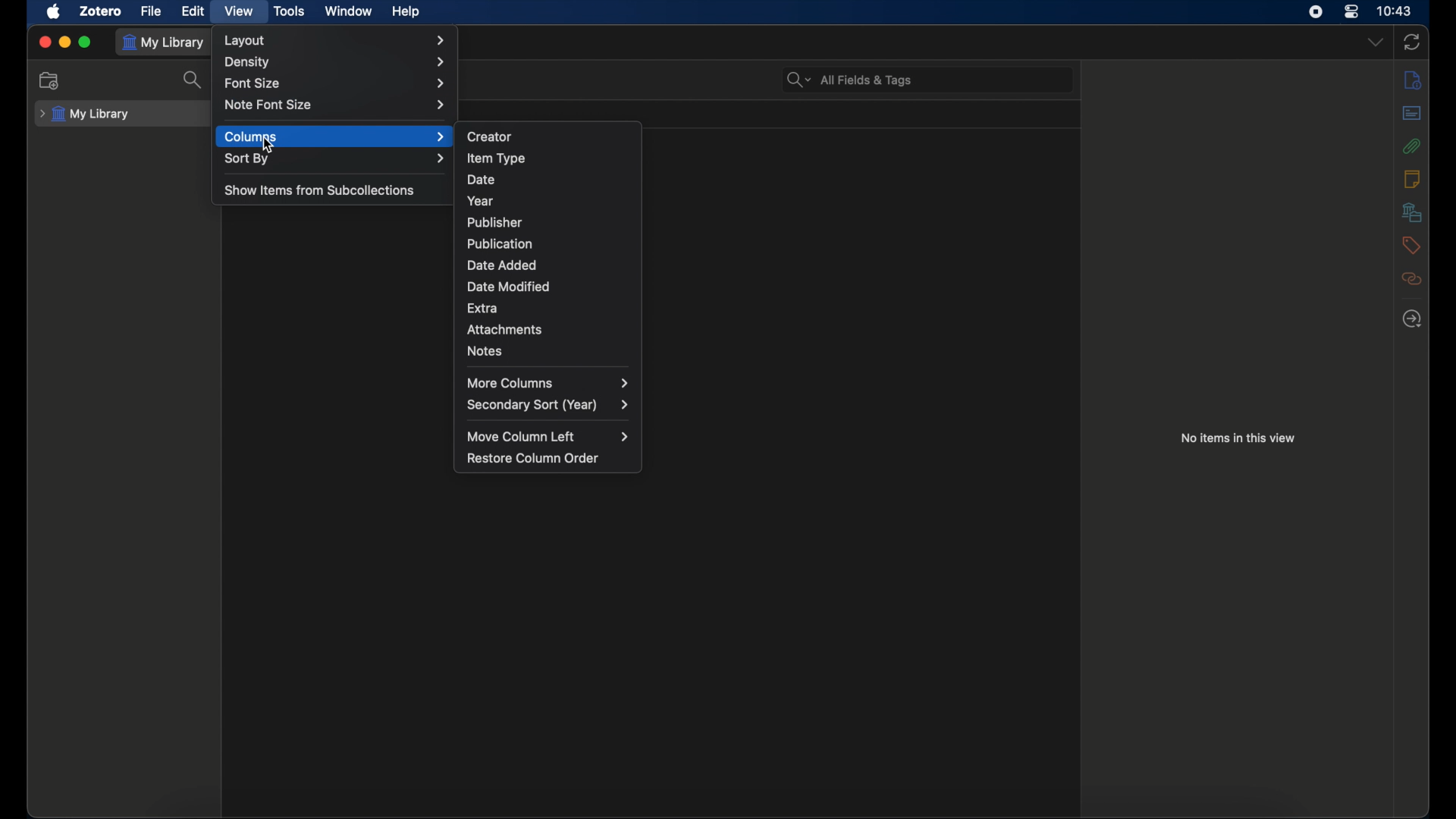 Image resolution: width=1456 pixels, height=819 pixels. What do you see at coordinates (549, 436) in the screenshot?
I see `move column left` at bounding box center [549, 436].